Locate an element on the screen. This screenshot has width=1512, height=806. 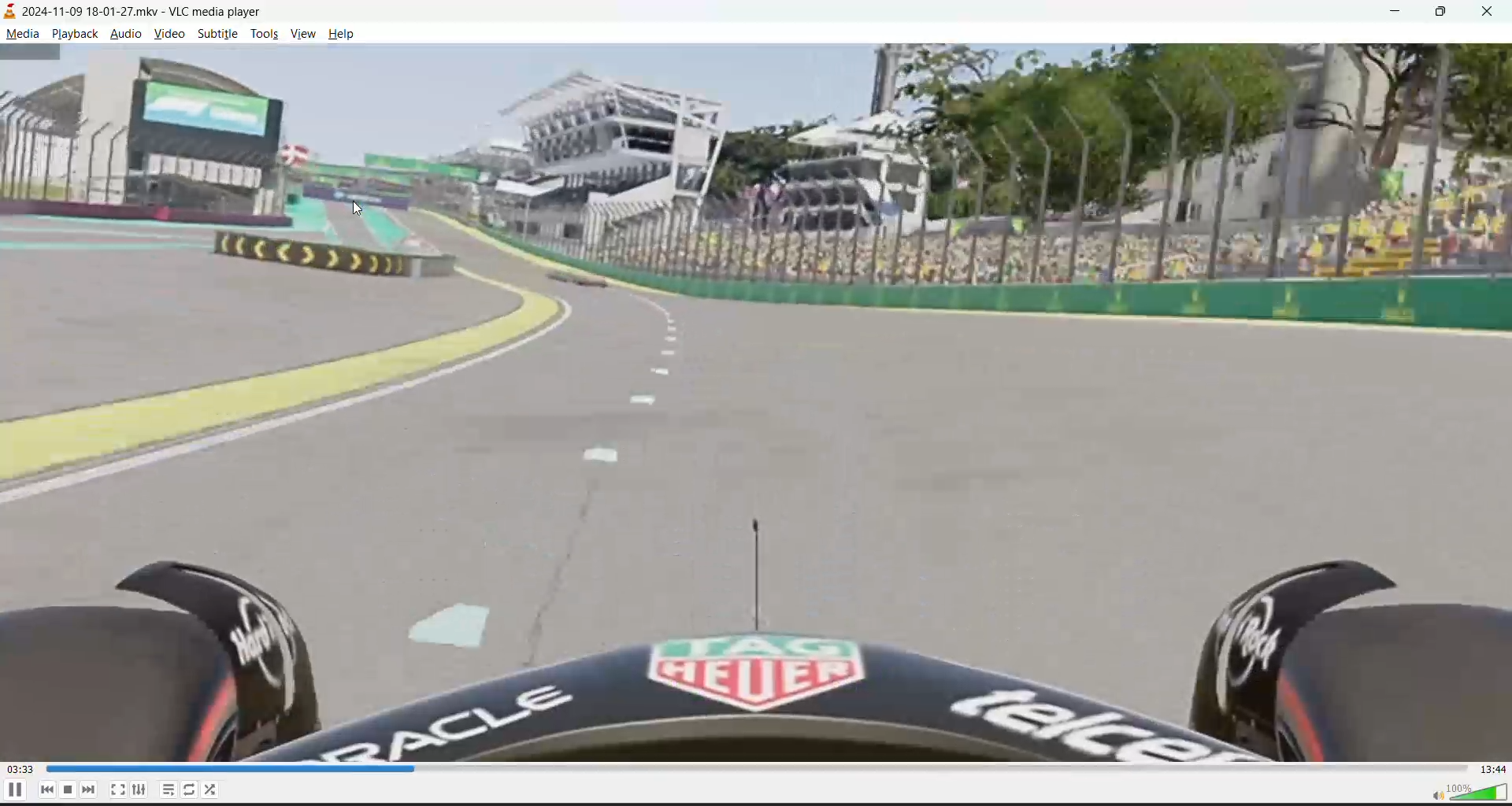
toggle fullscreen is located at coordinates (117, 789).